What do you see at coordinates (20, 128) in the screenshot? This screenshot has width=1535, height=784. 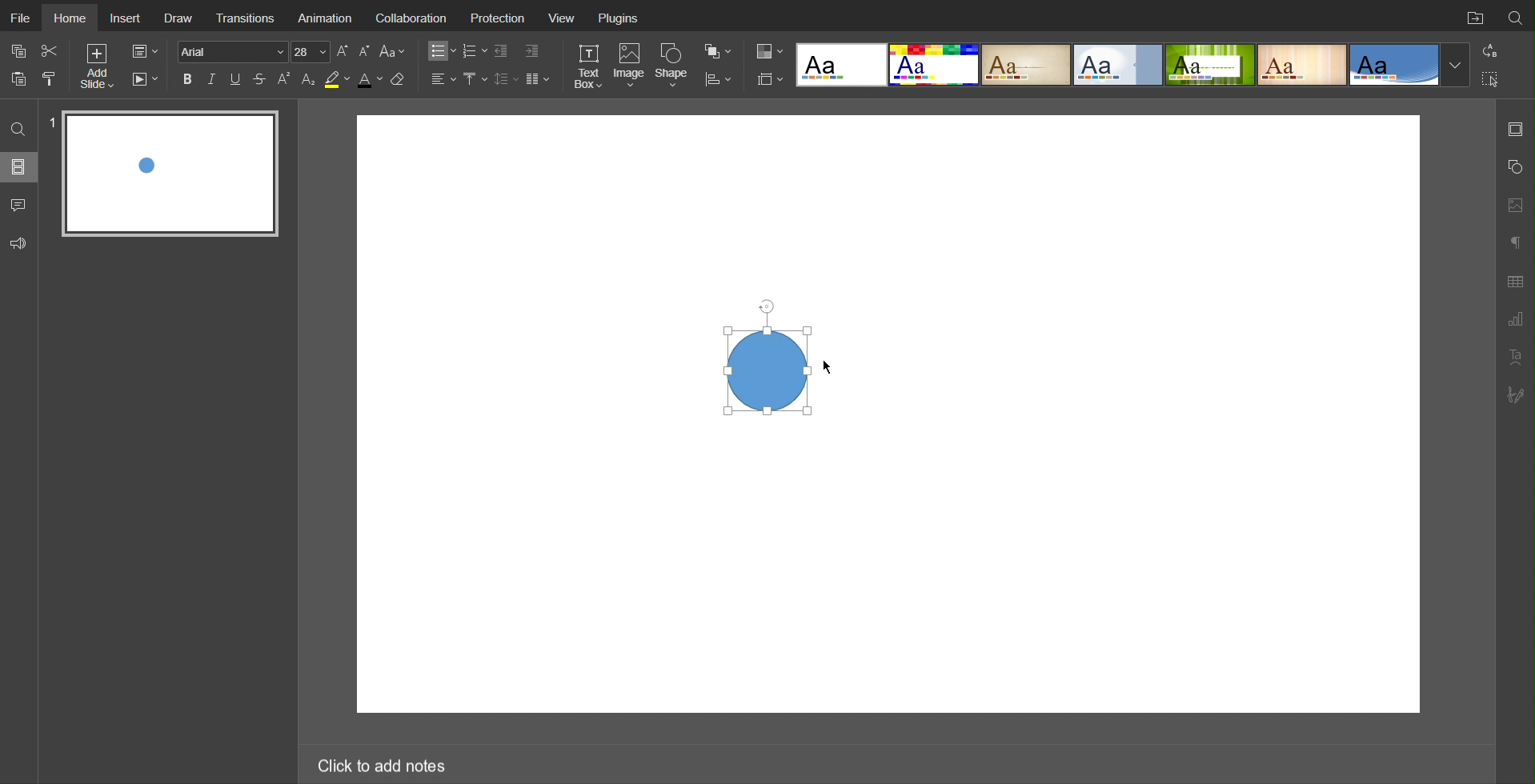 I see `Search` at bounding box center [20, 128].